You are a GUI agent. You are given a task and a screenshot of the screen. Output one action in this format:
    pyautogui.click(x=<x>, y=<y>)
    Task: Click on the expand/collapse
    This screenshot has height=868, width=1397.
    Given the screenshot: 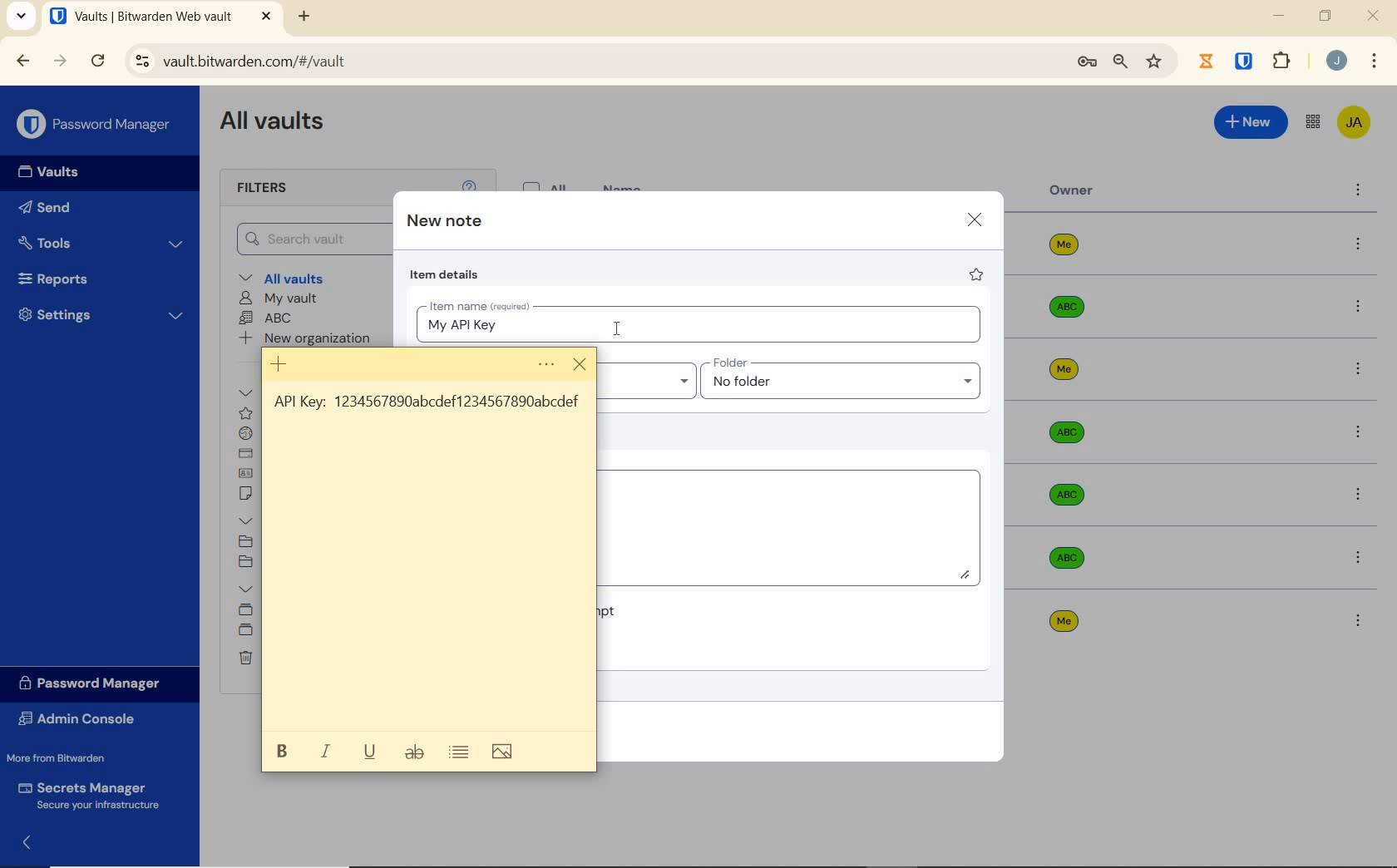 What is the action you would take?
    pyautogui.click(x=30, y=841)
    